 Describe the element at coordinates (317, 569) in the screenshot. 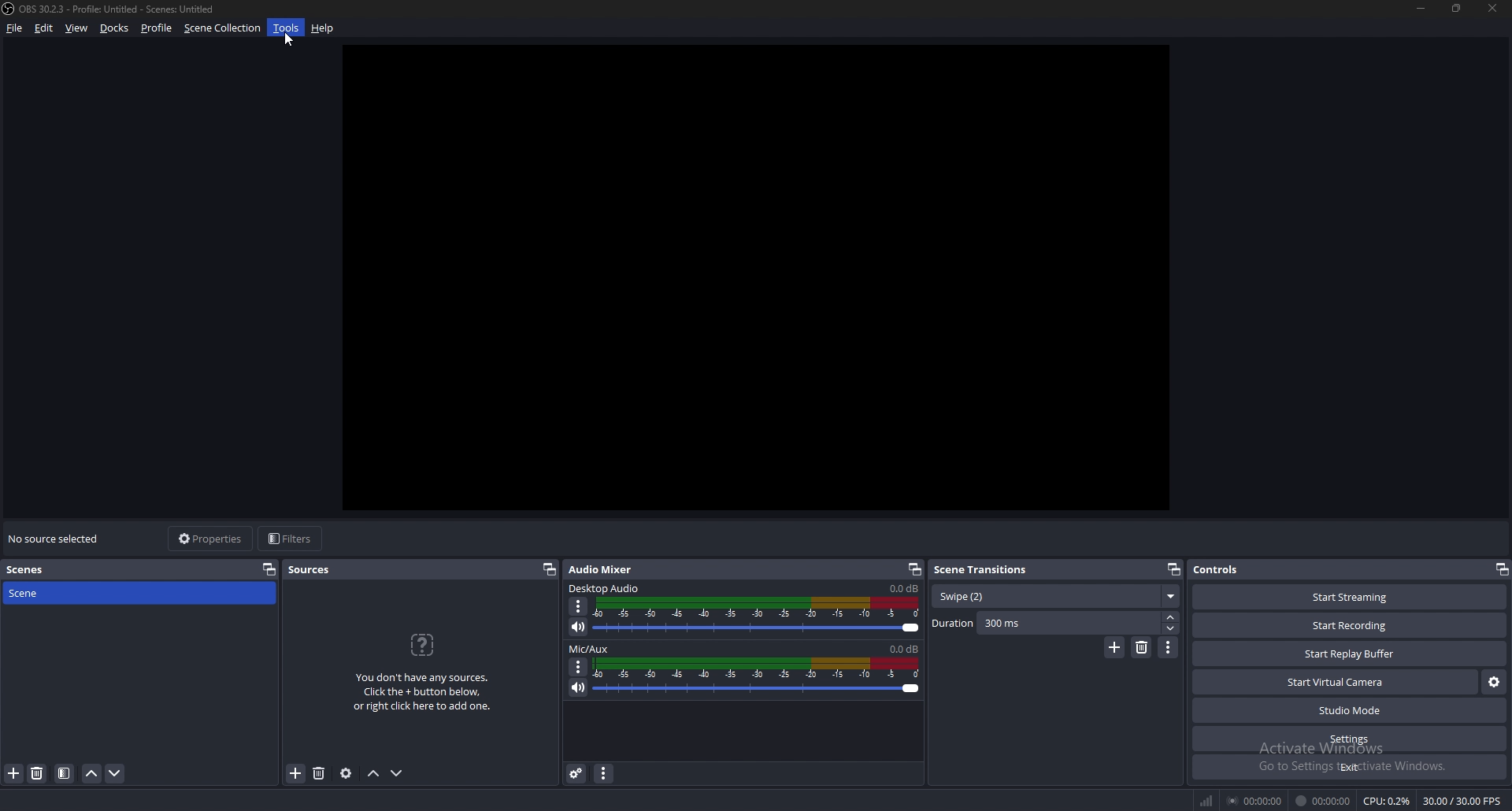

I see `sources` at that location.